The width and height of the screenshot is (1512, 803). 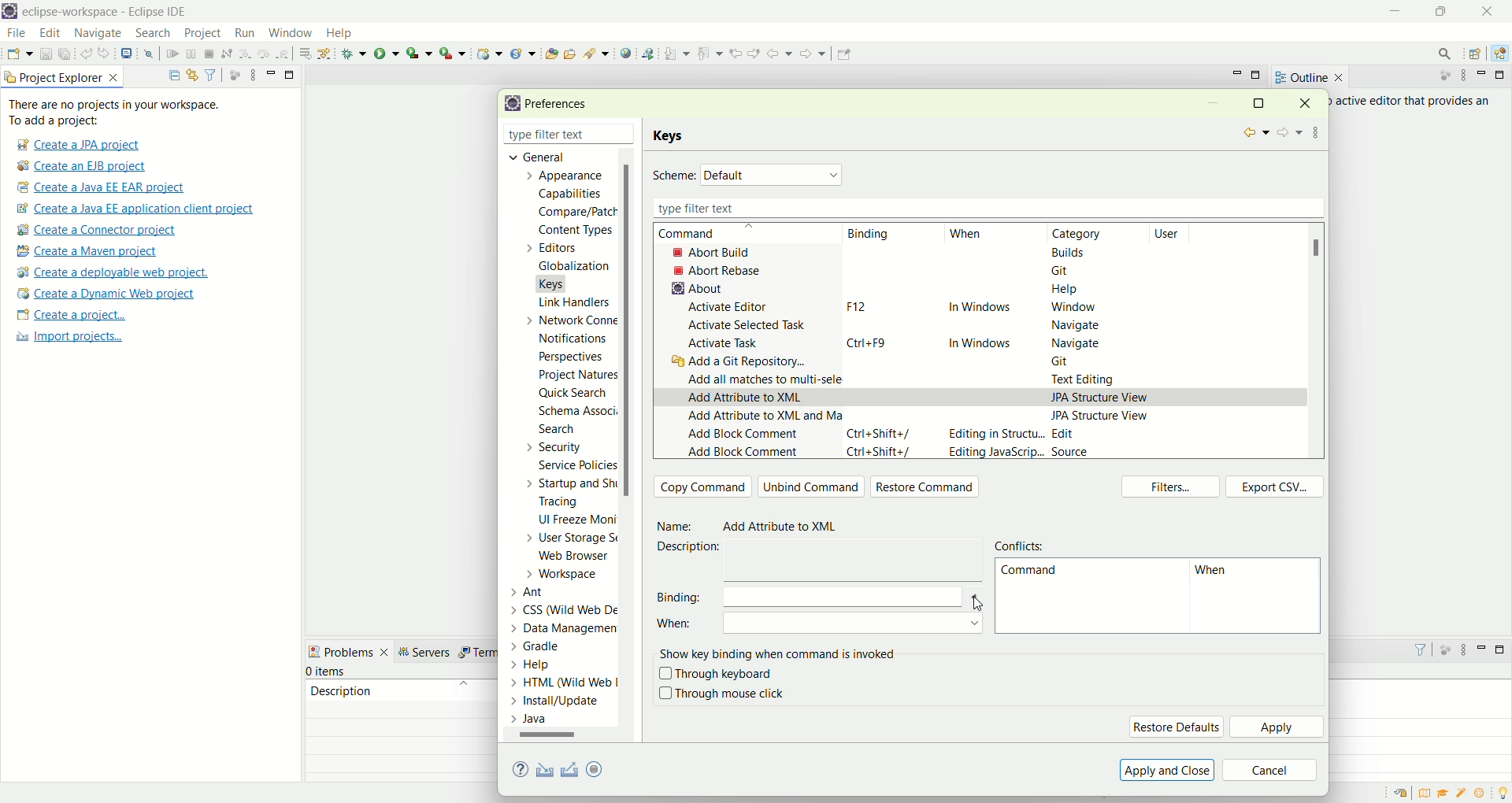 I want to click on  active editor that provides an outline, so click(x=1414, y=102).